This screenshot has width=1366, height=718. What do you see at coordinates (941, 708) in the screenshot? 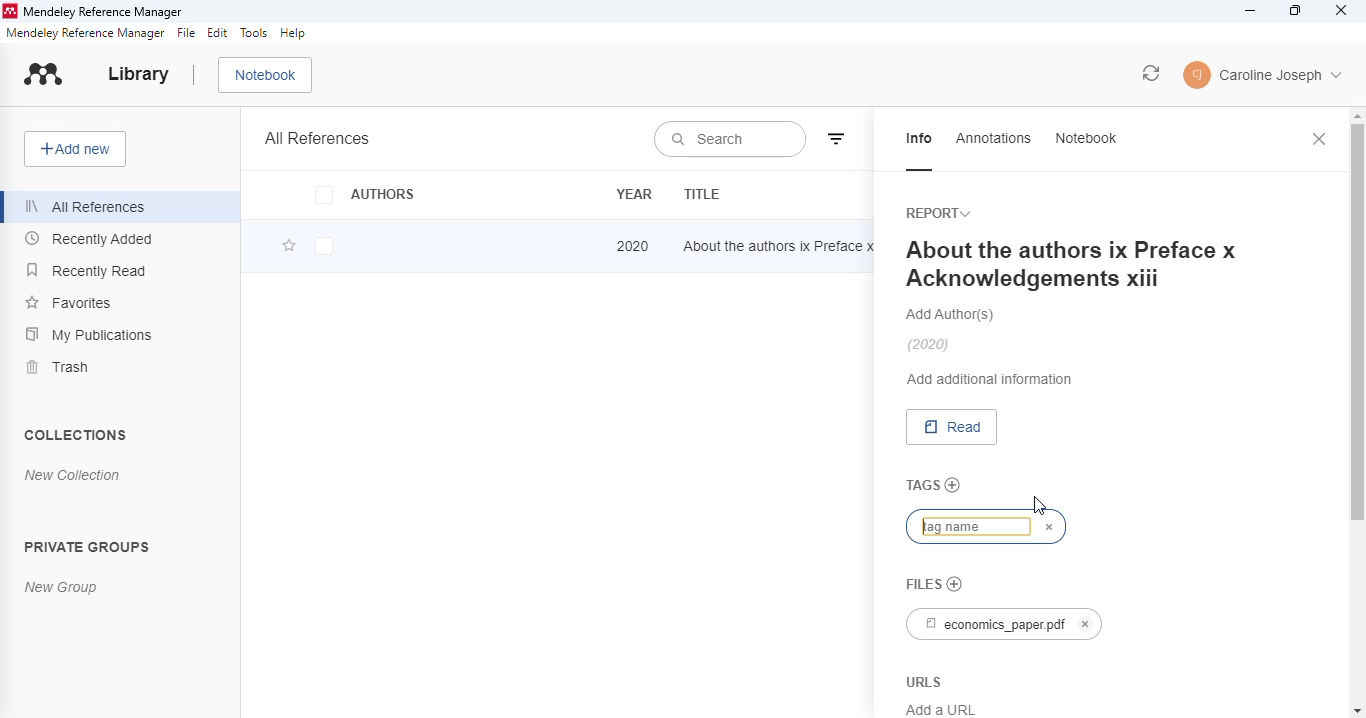
I see `Add a URL` at bounding box center [941, 708].